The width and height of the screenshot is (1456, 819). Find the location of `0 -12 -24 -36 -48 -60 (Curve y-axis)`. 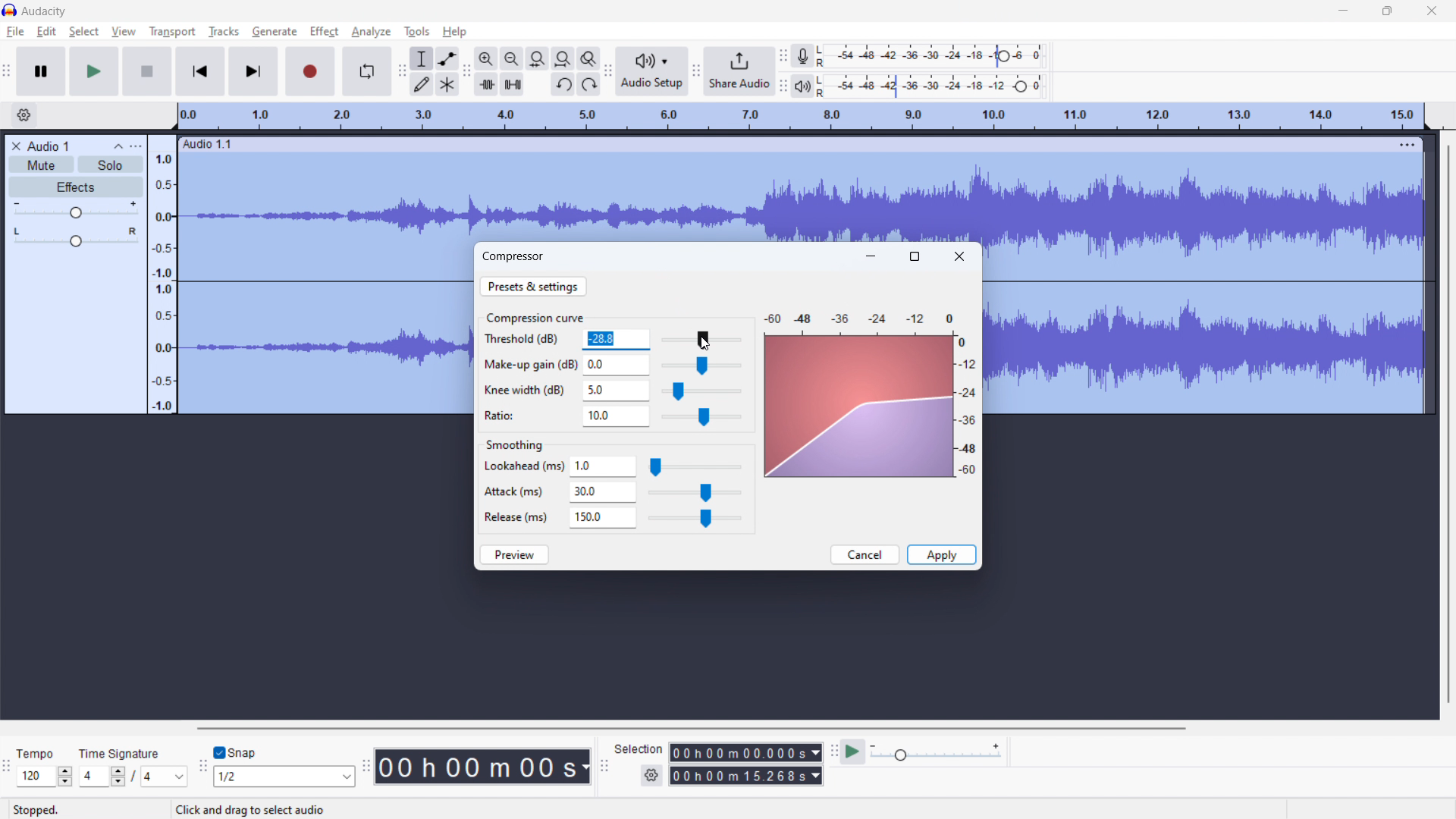

0 -12 -24 -36 -48 -60 (Curve y-axis) is located at coordinates (969, 409).